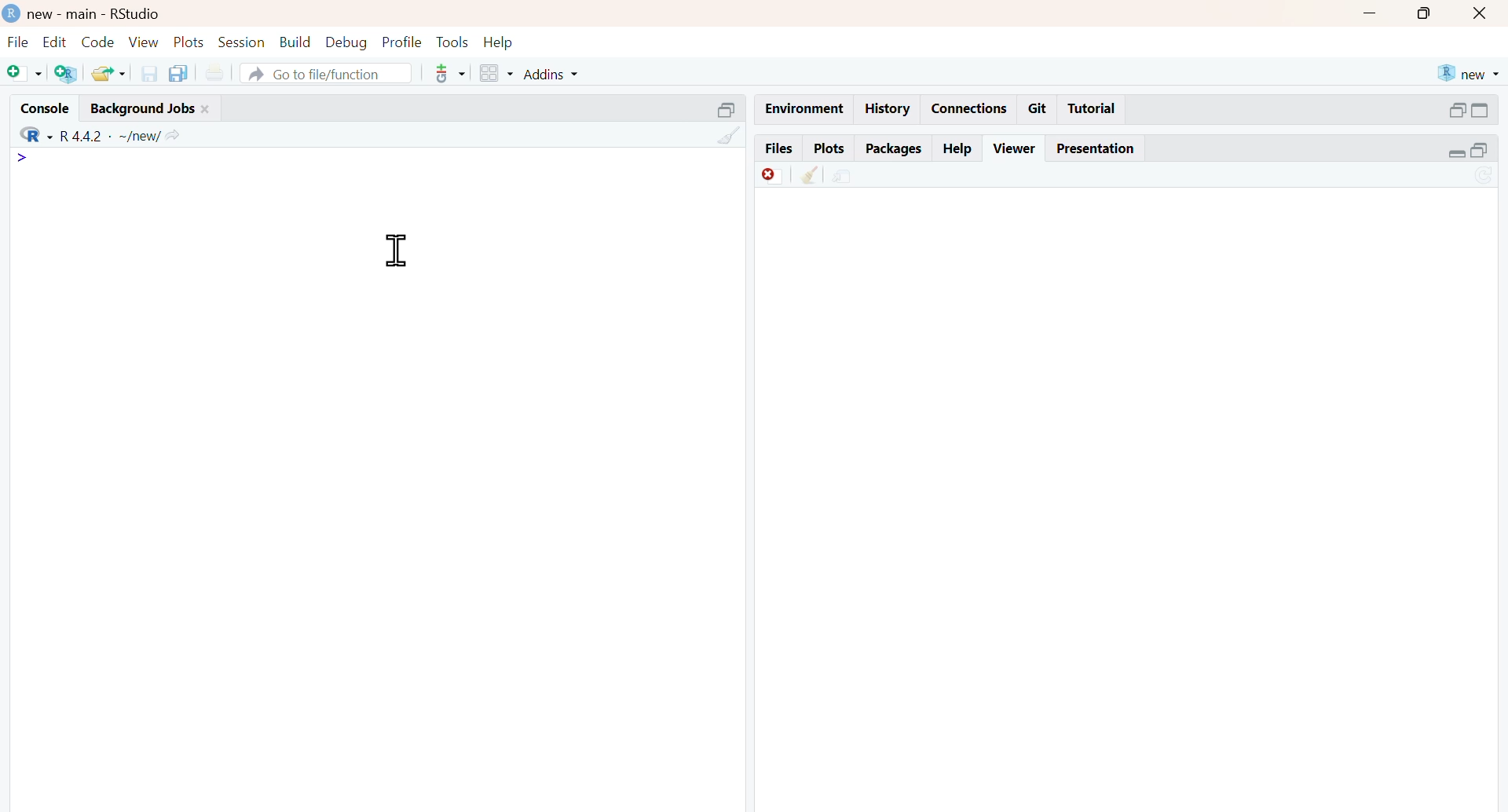 This screenshot has width=1508, height=812. Describe the element at coordinates (1458, 110) in the screenshot. I see `open in separate window` at that location.